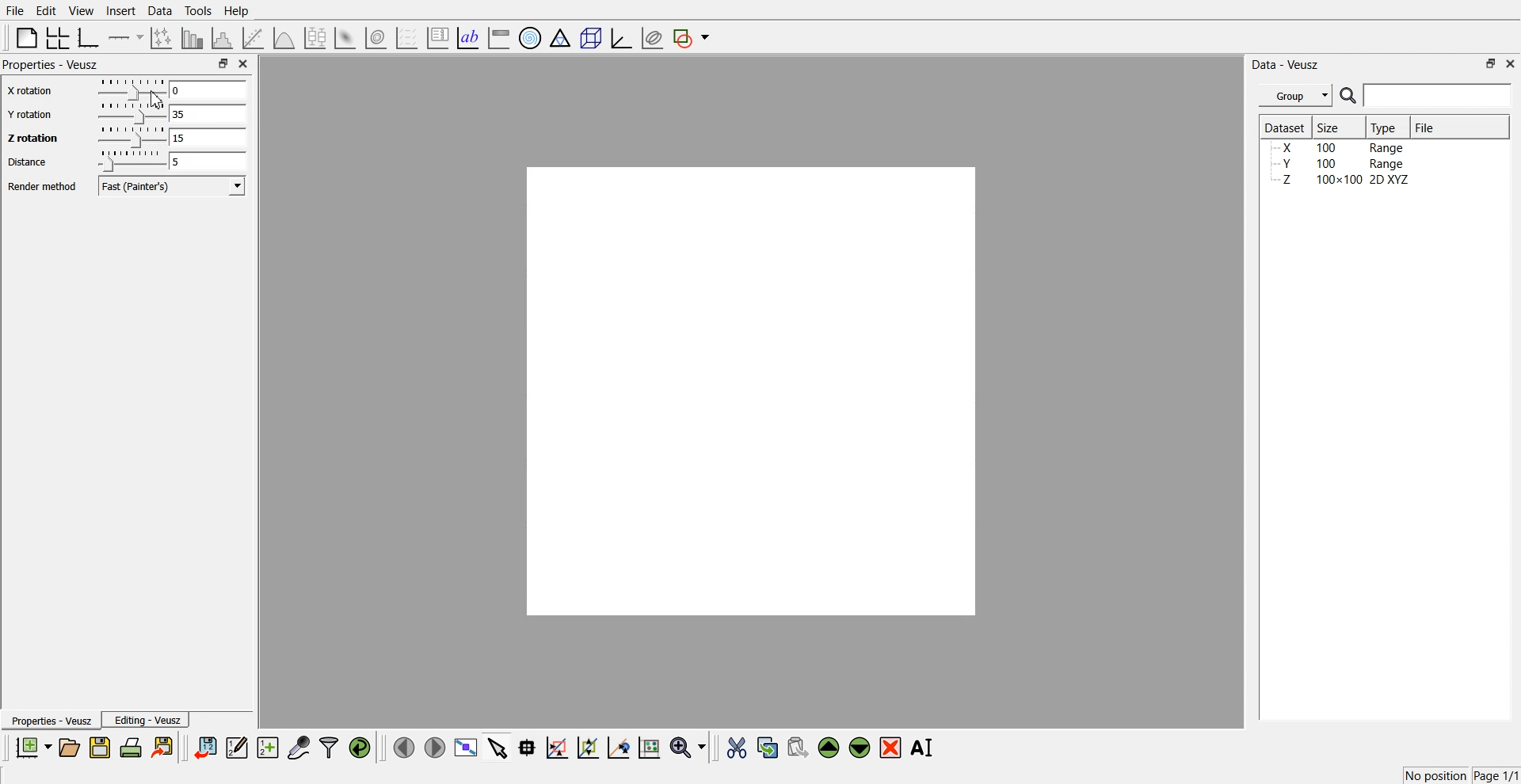 This screenshot has height=784, width=1521. I want to click on Drag Handle, so click(131, 138).